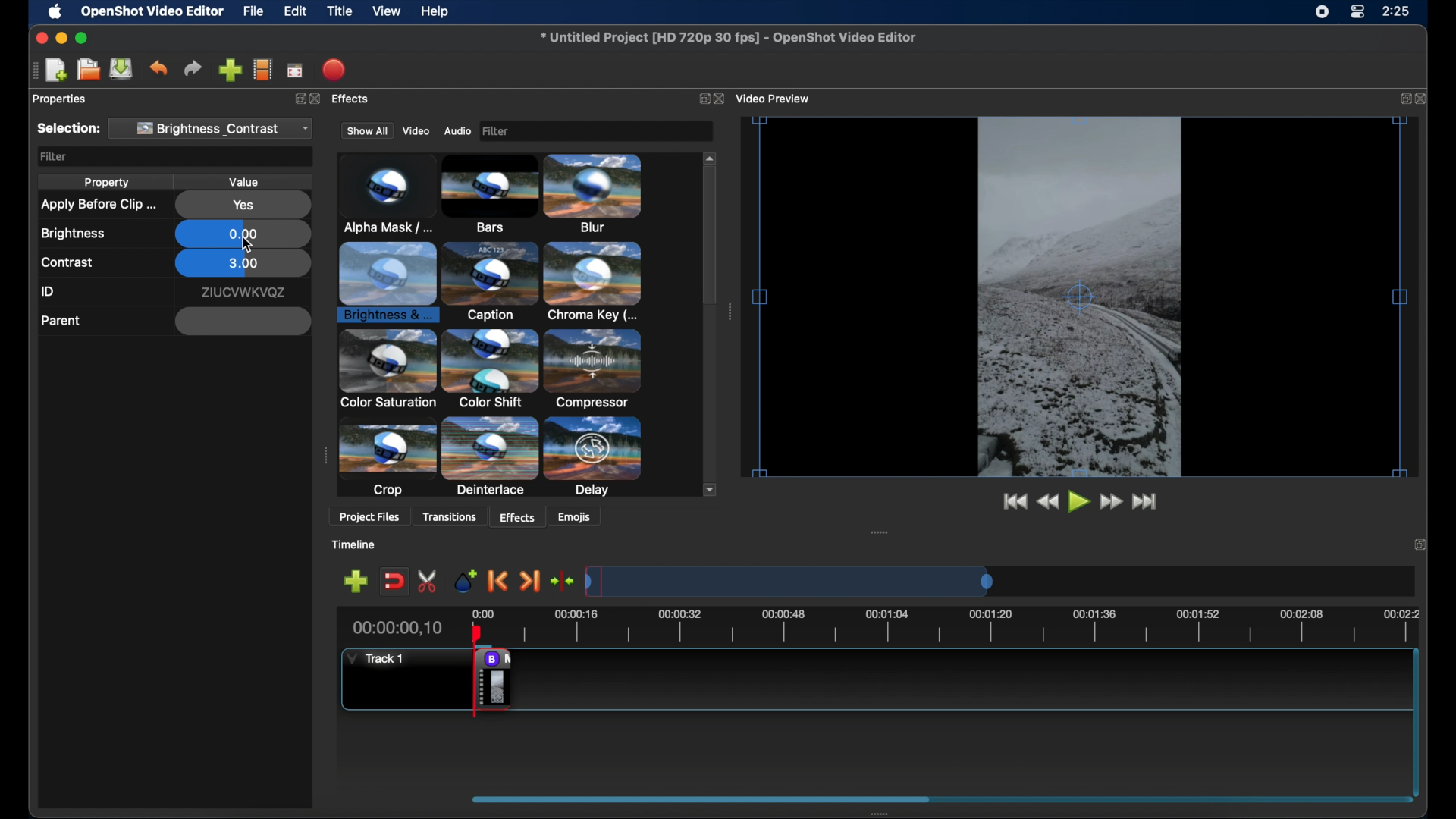 The image size is (1456, 819). What do you see at coordinates (877, 533) in the screenshot?
I see `drag handle` at bounding box center [877, 533].